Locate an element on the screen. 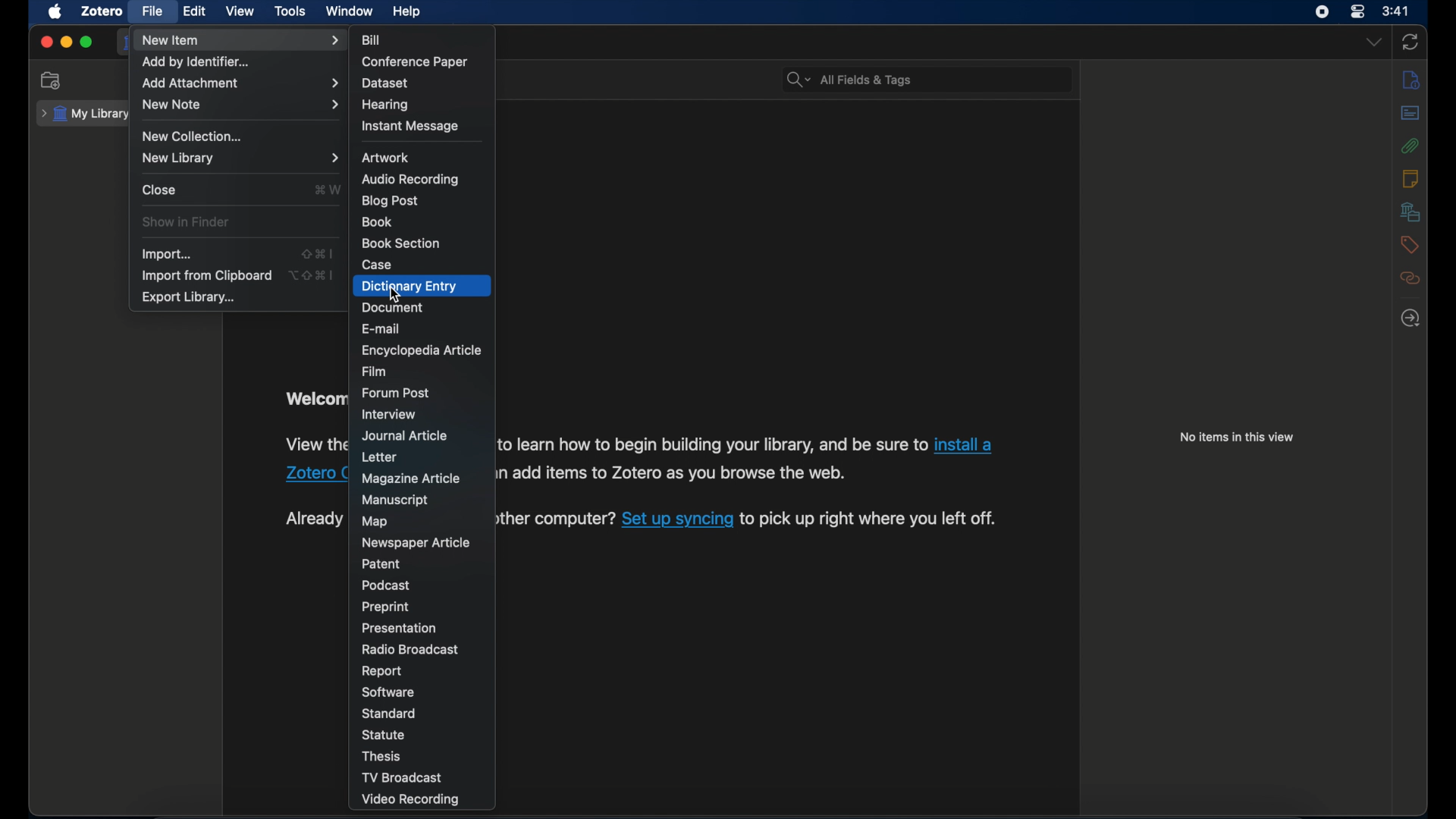  manuscript is located at coordinates (395, 500).